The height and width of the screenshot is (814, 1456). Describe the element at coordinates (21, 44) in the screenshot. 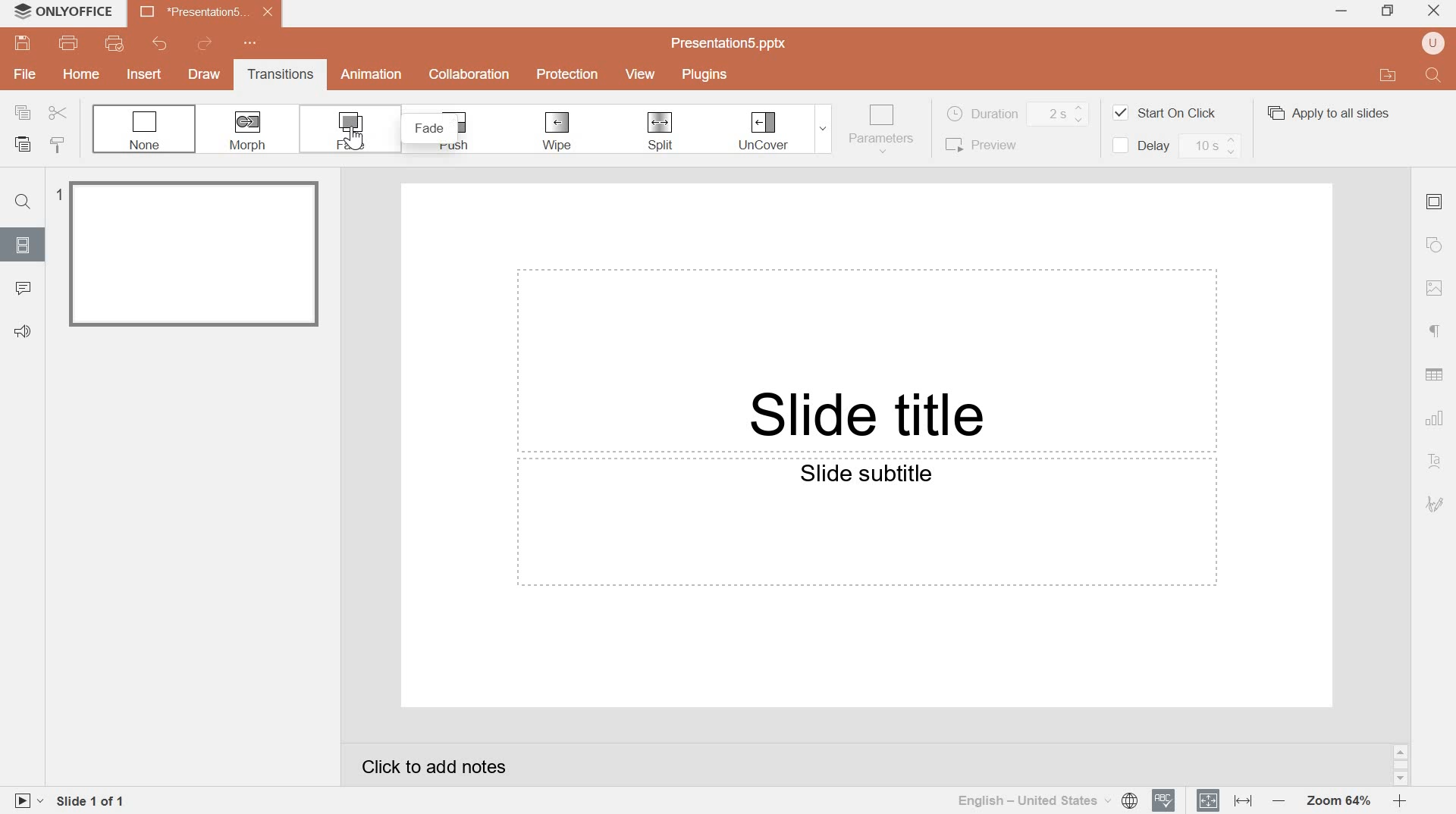

I see `Save` at that location.